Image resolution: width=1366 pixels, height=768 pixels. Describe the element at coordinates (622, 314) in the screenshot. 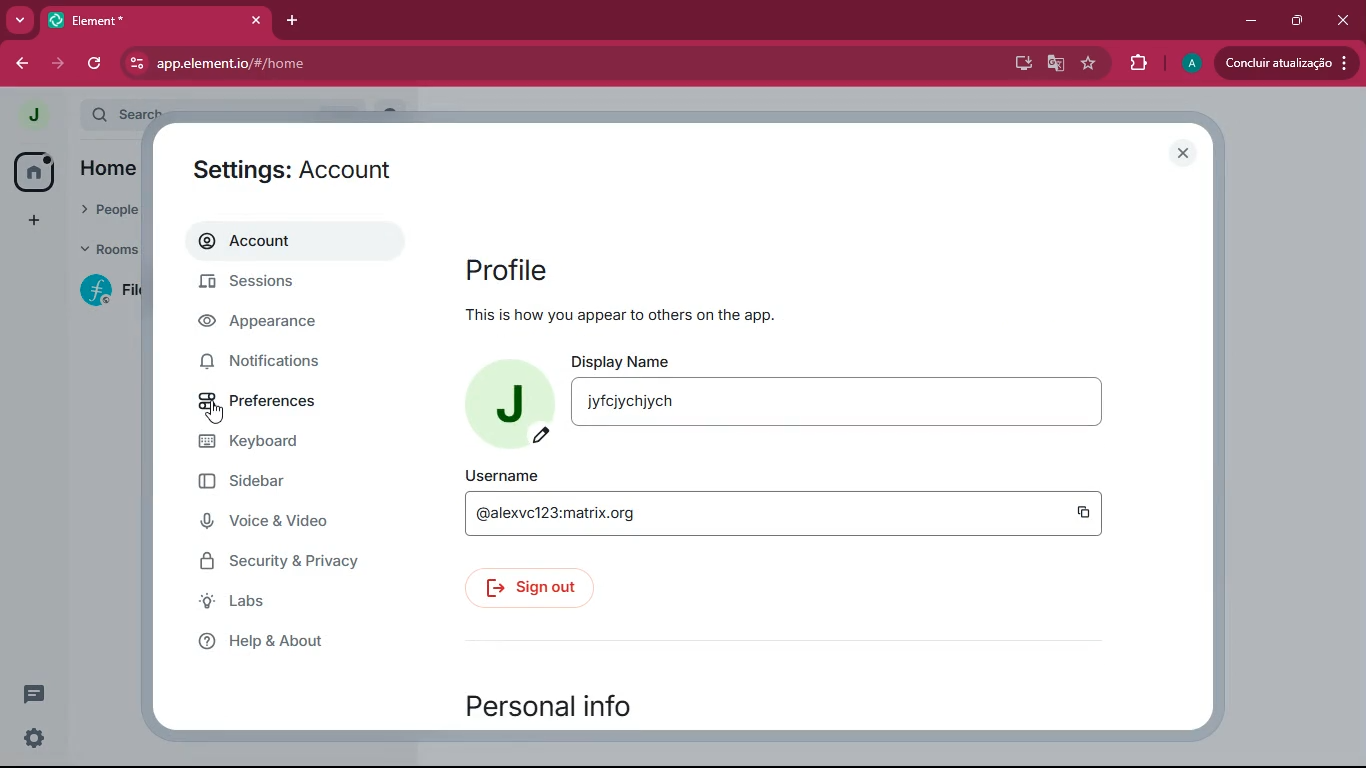

I see `this is how you appear to others on the app.` at that location.